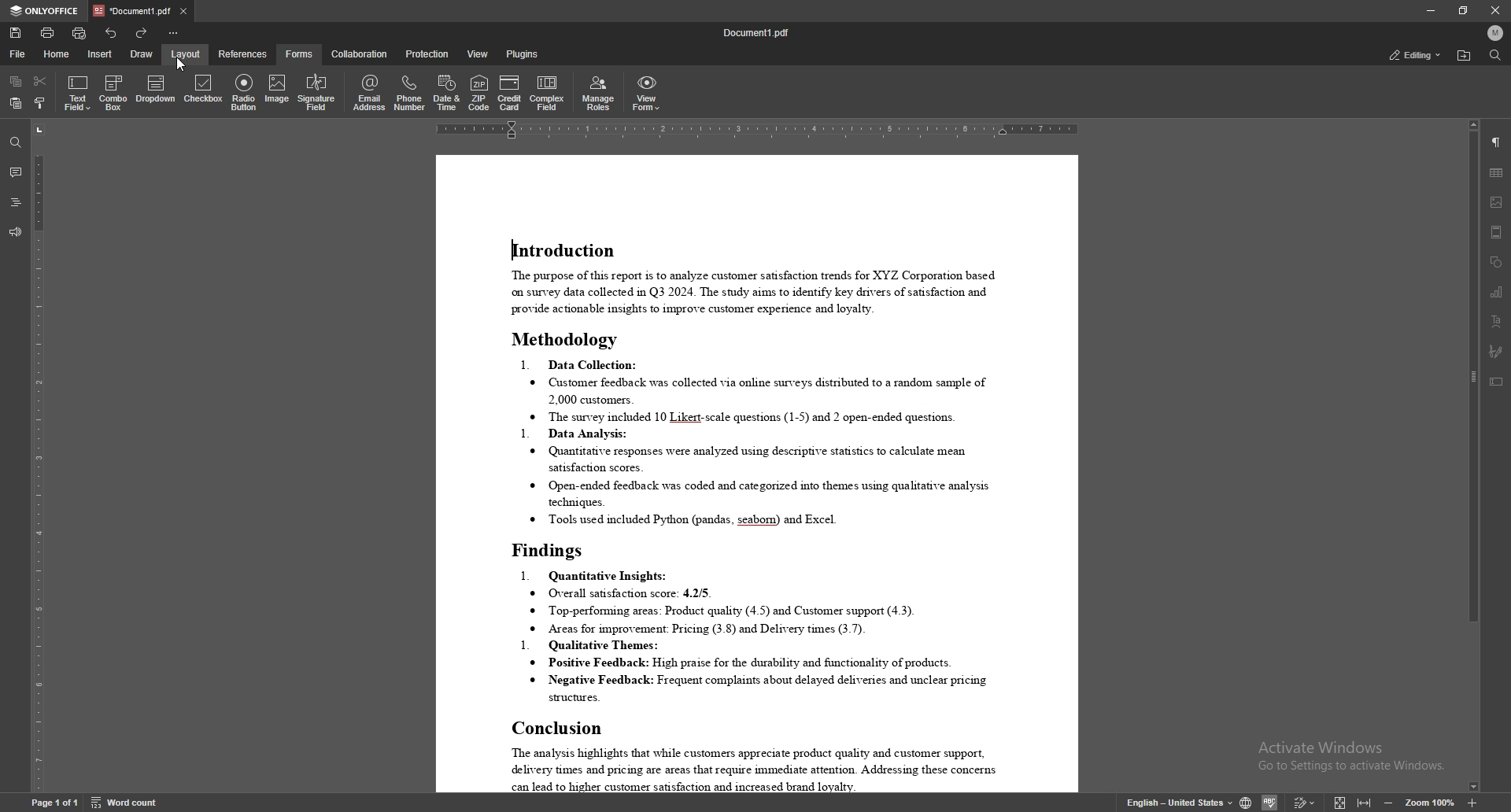 The width and height of the screenshot is (1511, 812). I want to click on references, so click(242, 53).